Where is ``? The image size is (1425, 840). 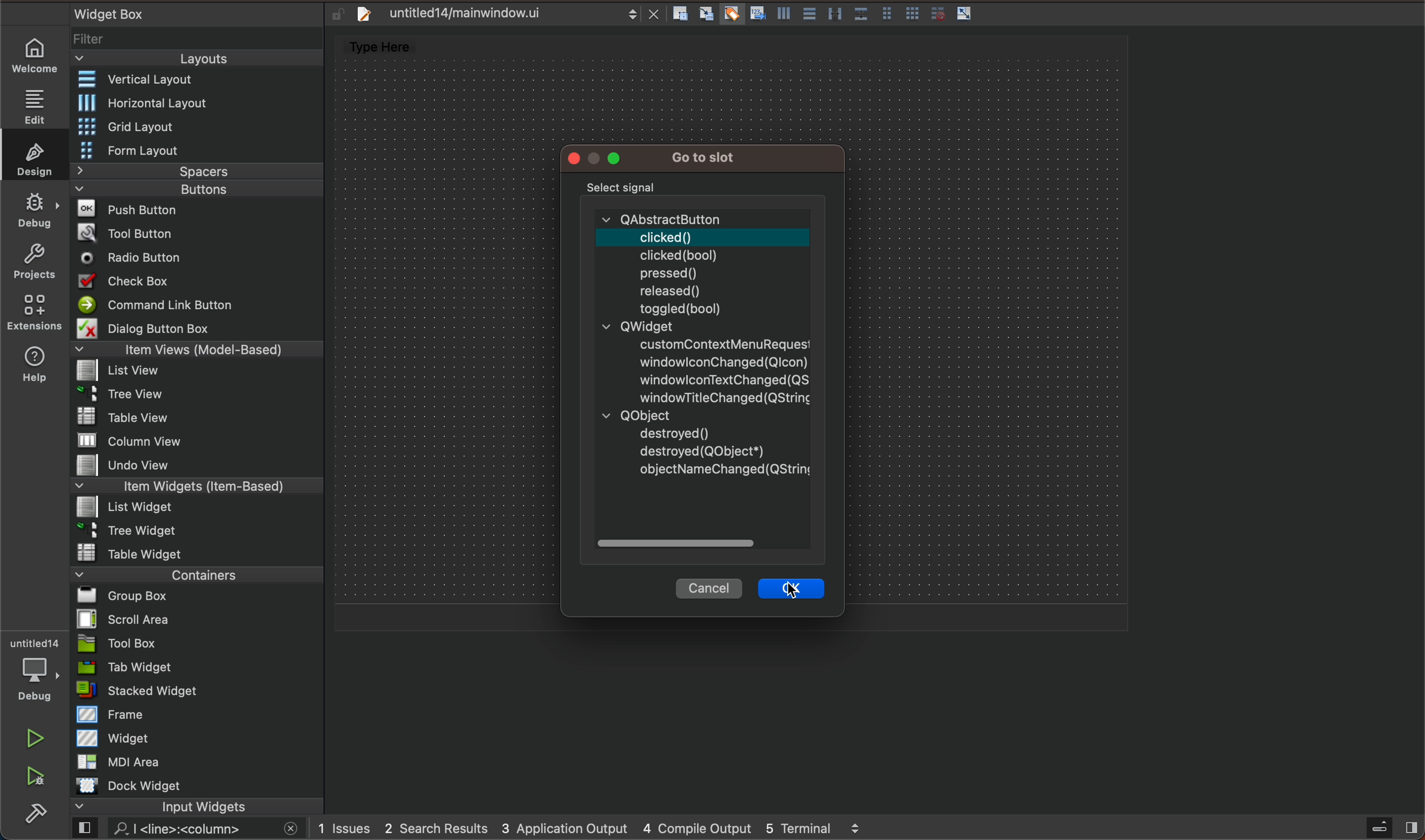
 is located at coordinates (199, 329).